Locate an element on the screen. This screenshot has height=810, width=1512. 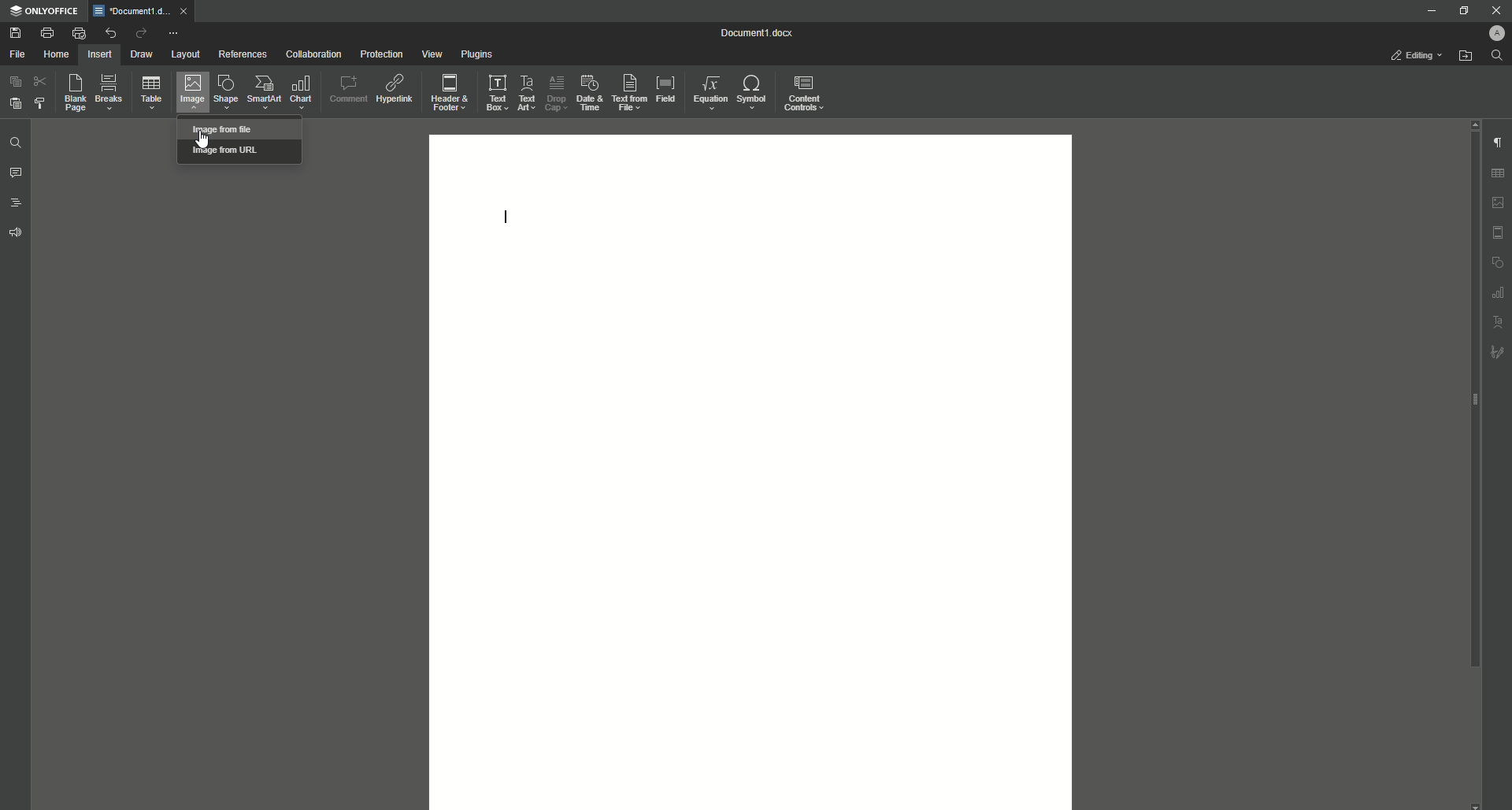
Text From File is located at coordinates (629, 90).